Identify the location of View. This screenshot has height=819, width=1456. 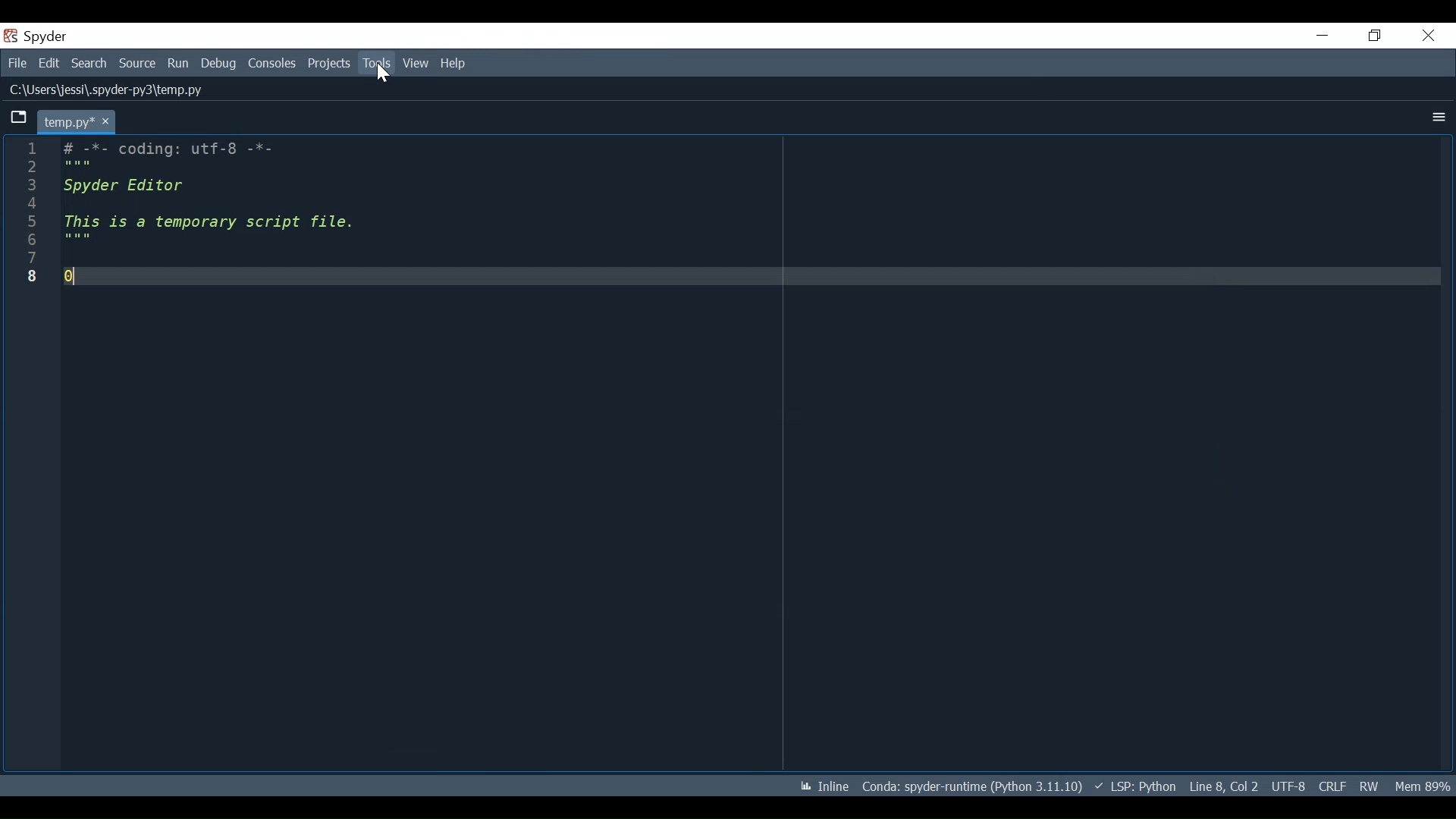
(417, 64).